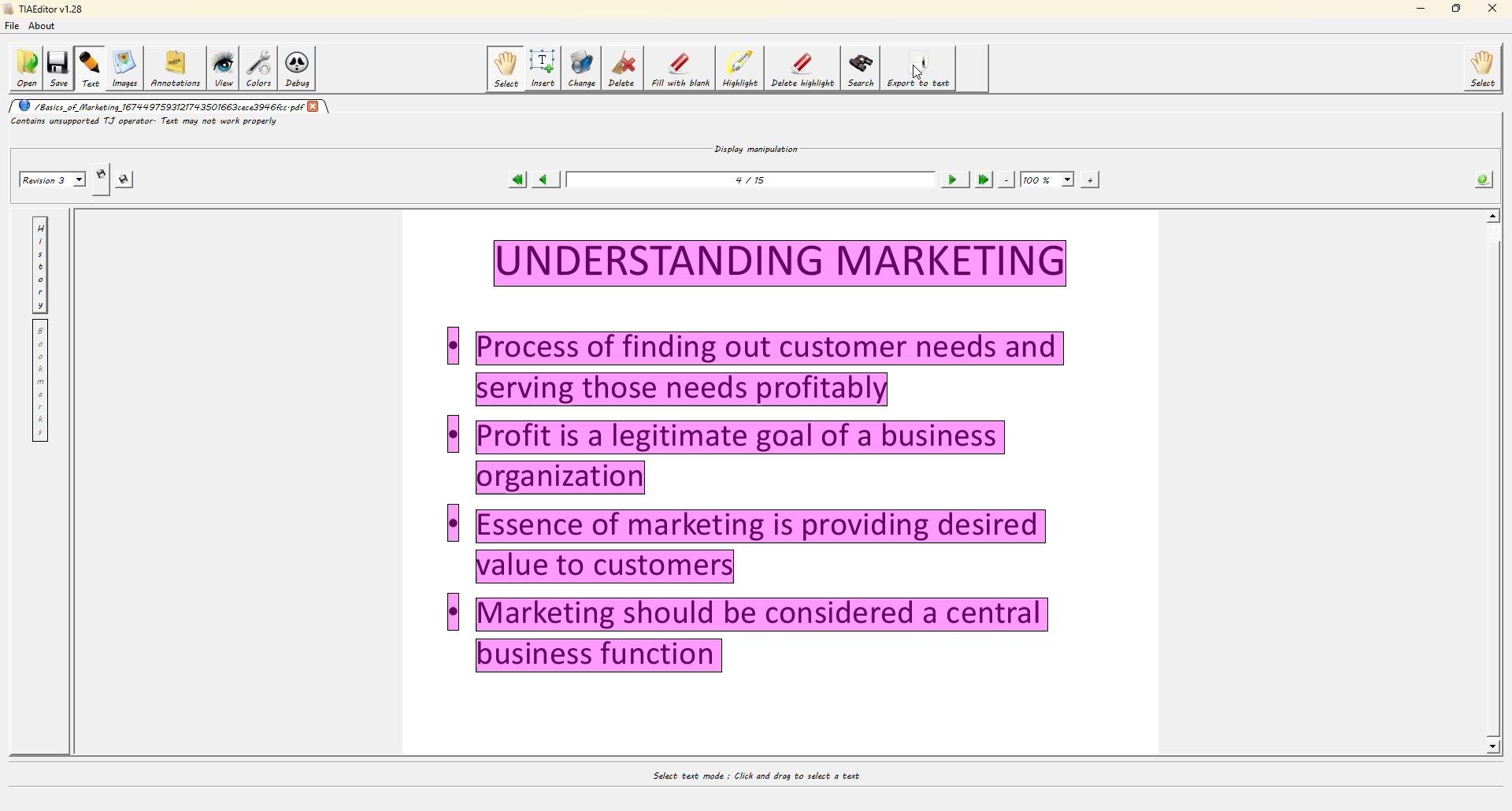 The height and width of the screenshot is (811, 1512). Describe the element at coordinates (754, 146) in the screenshot. I see `display manipulation` at that location.